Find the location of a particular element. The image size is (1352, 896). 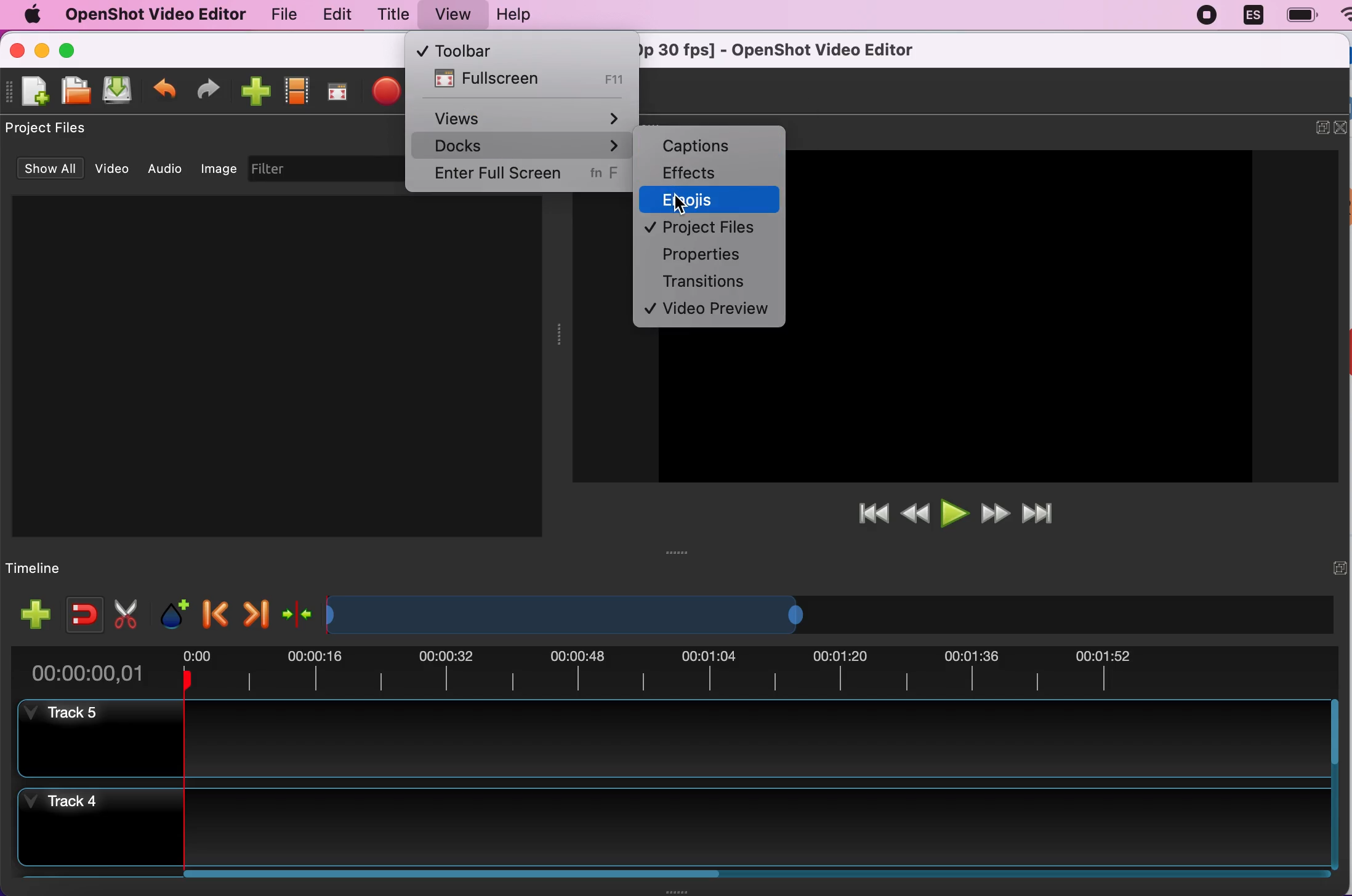

close is located at coordinates (1343, 127).